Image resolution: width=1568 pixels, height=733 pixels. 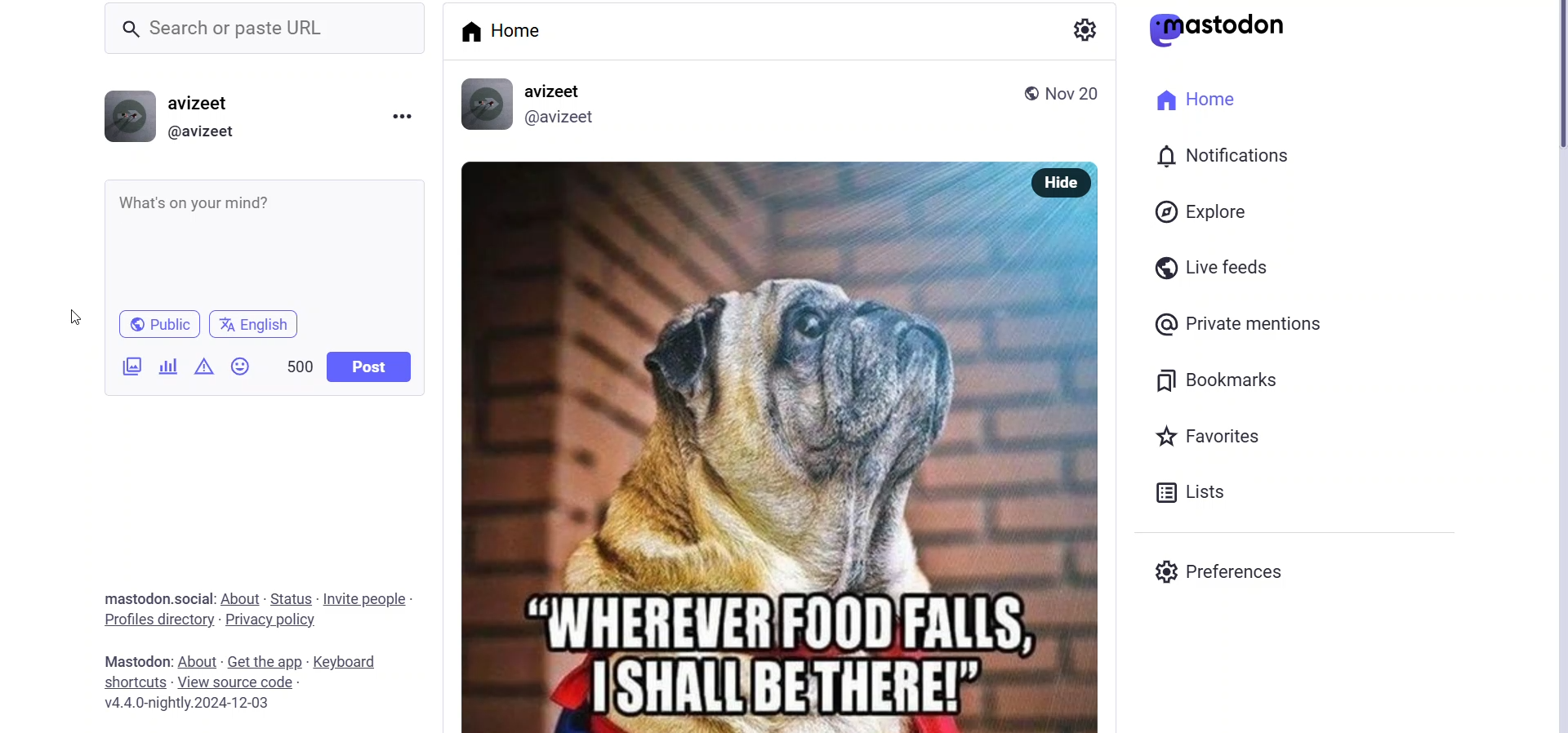 What do you see at coordinates (399, 115) in the screenshot?
I see `menu` at bounding box center [399, 115].